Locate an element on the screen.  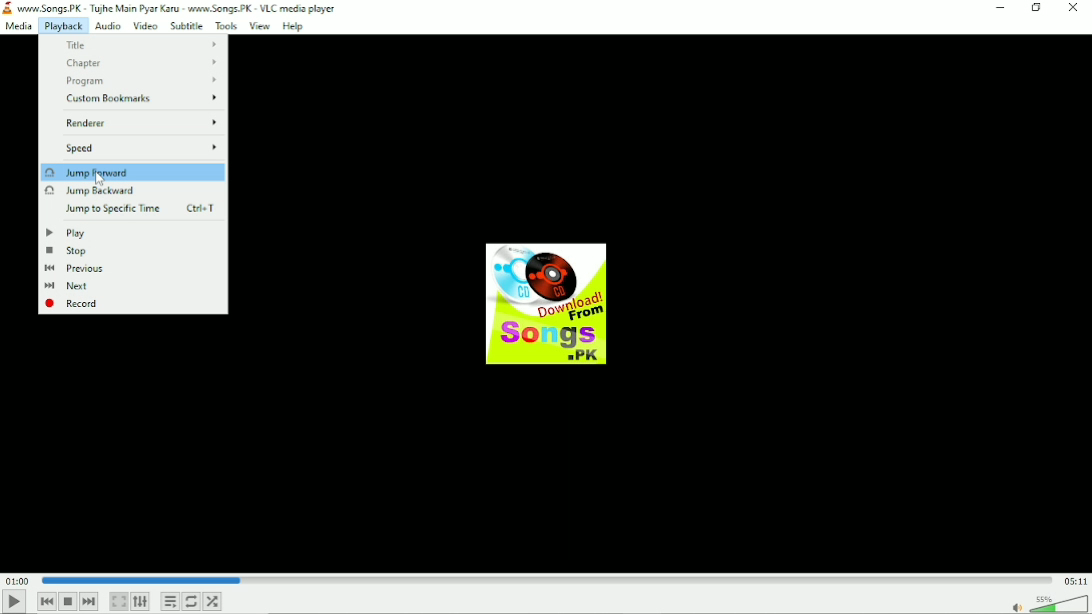
Toggle between loop all, loop one and no loop is located at coordinates (192, 602).